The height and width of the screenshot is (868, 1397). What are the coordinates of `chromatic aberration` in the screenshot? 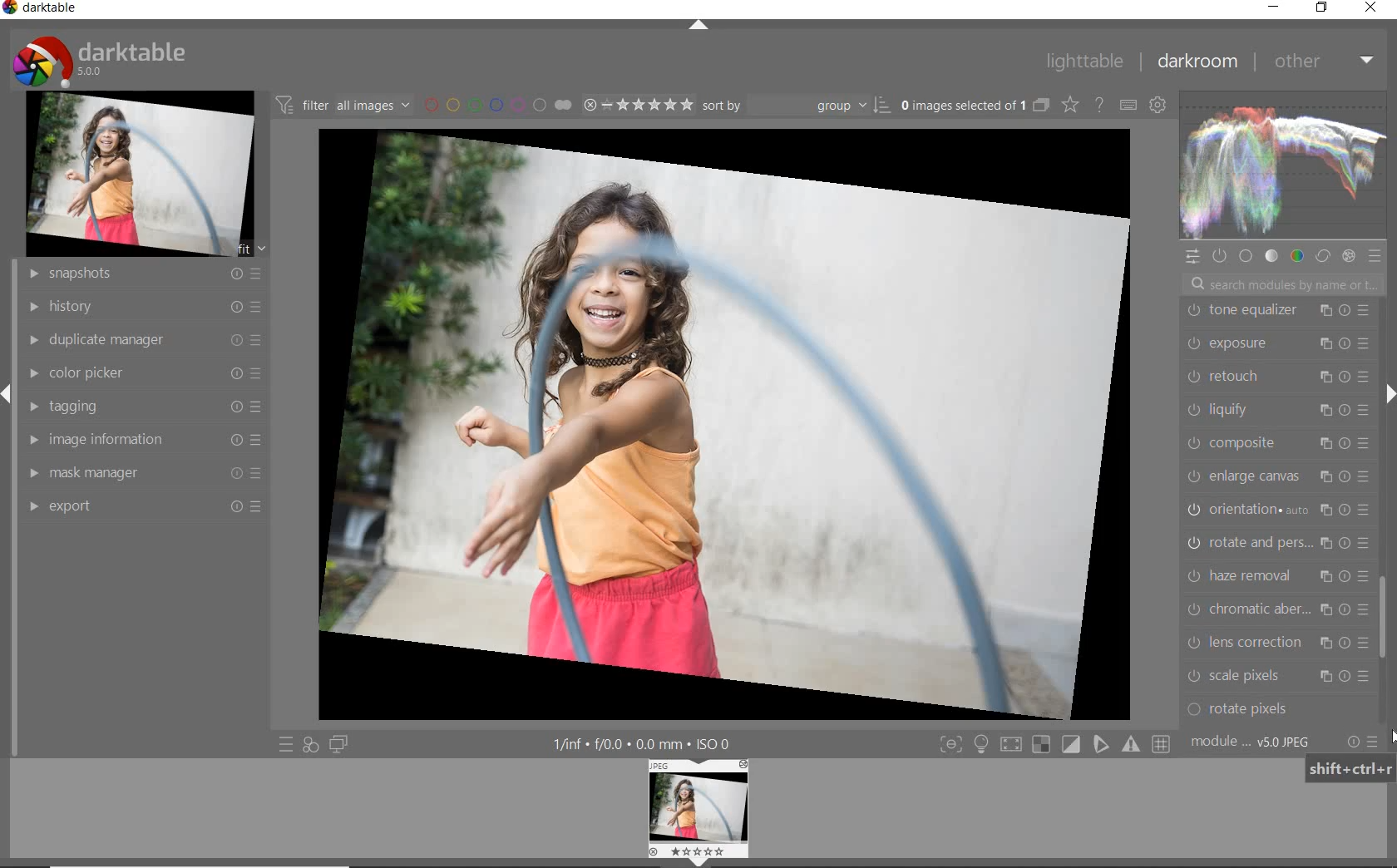 It's located at (1277, 609).